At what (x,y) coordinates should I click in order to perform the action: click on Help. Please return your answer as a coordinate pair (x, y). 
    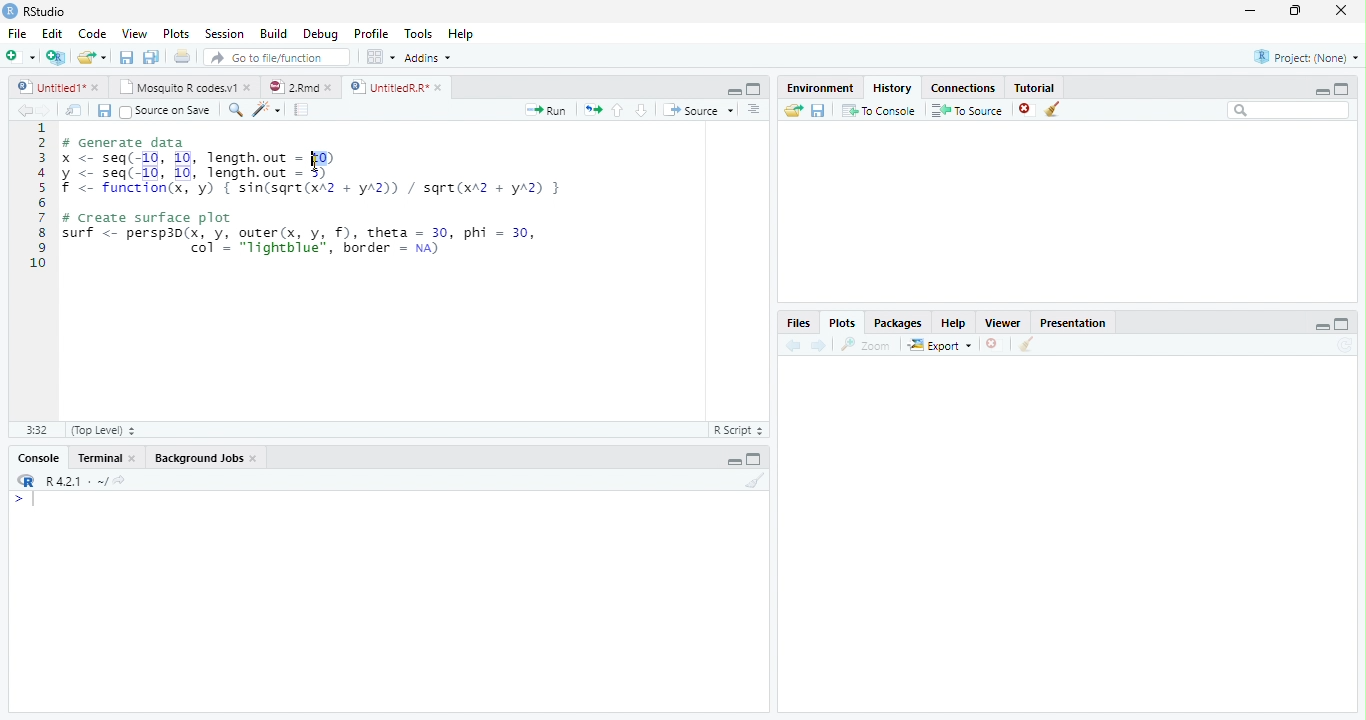
    Looking at the image, I should click on (460, 33).